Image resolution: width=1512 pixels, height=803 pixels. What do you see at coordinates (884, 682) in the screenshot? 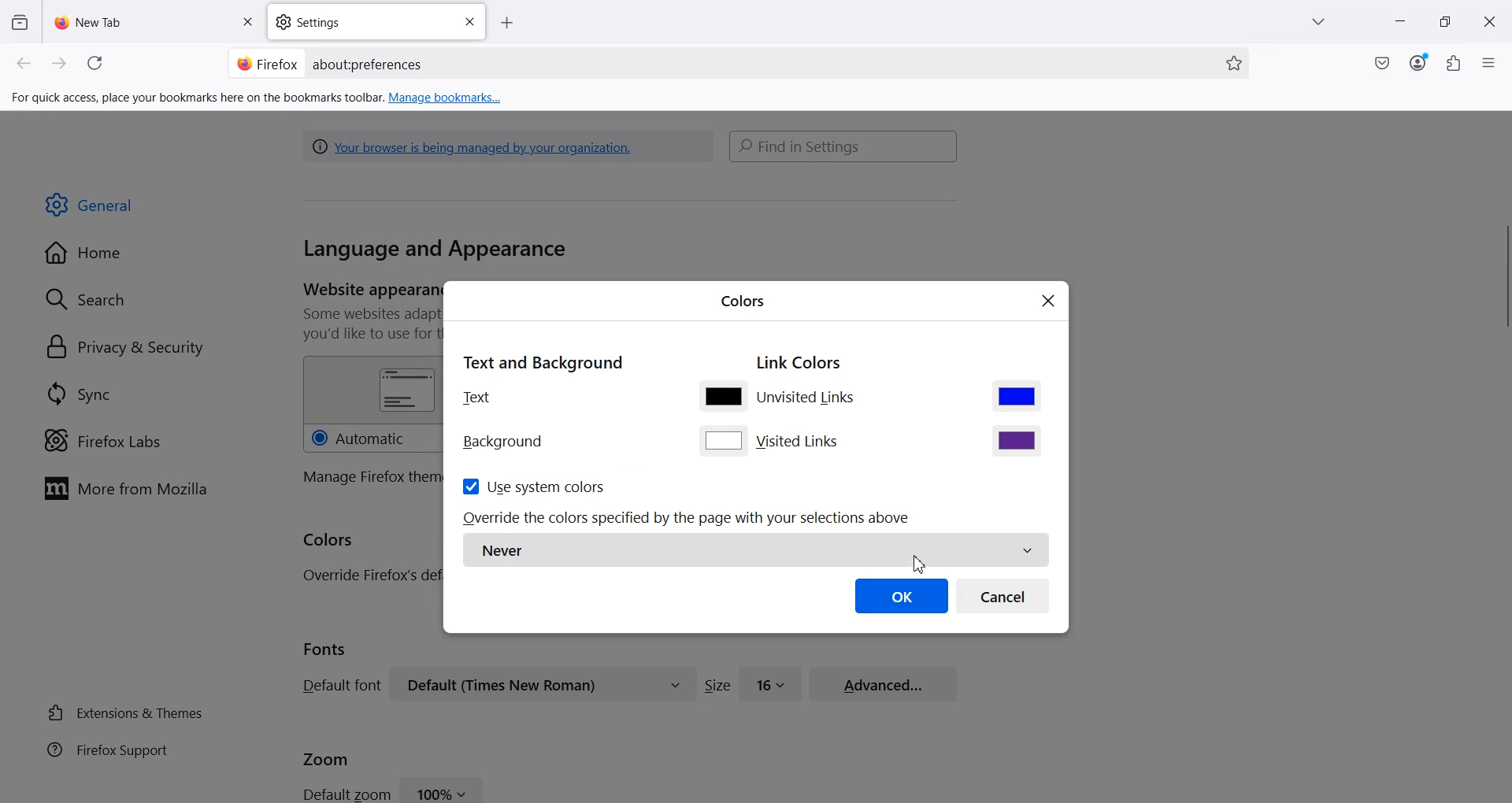
I see `Advanced...` at bounding box center [884, 682].